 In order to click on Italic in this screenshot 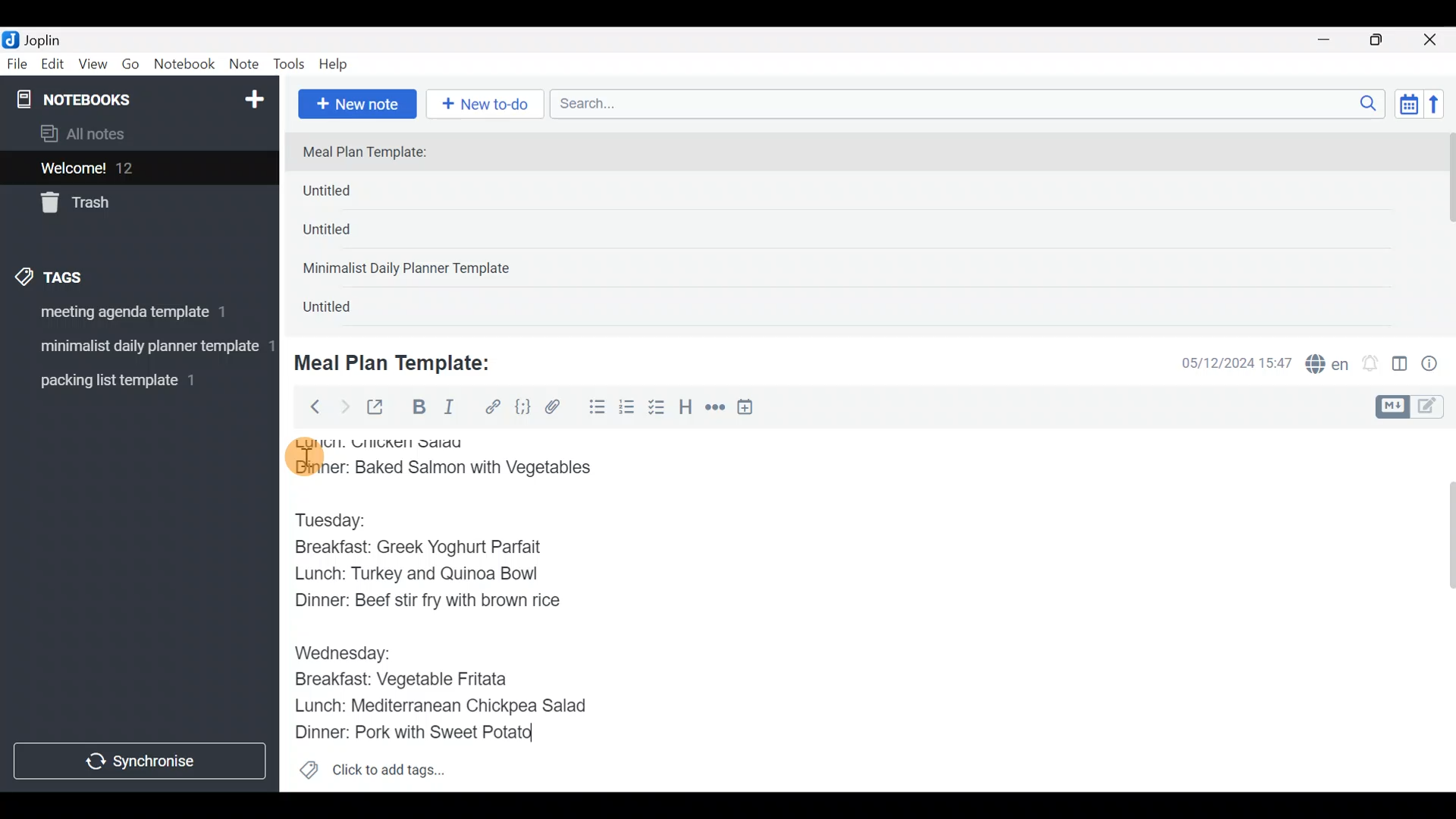, I will do `click(447, 410)`.